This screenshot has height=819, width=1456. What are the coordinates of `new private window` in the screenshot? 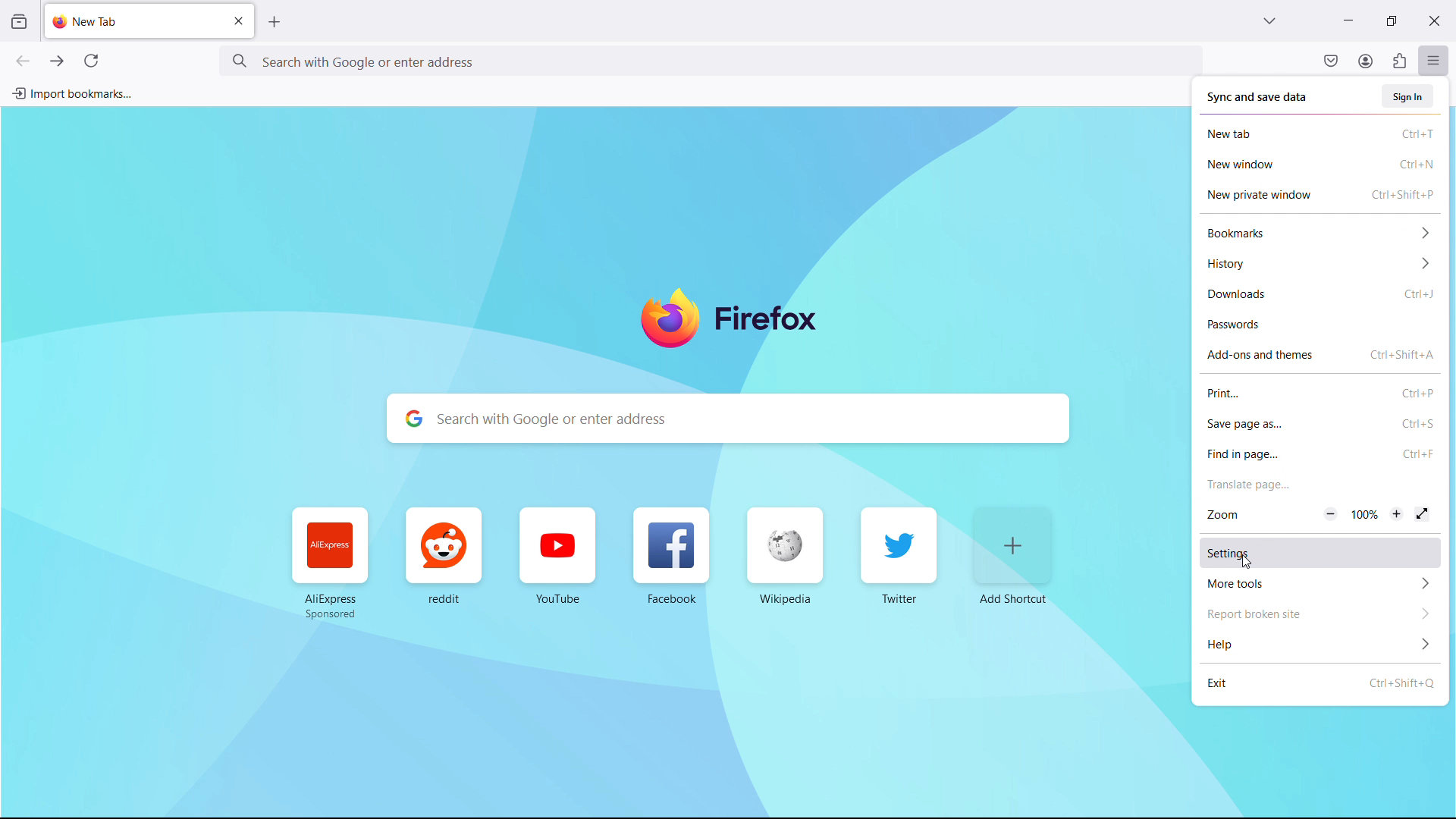 It's located at (1320, 195).